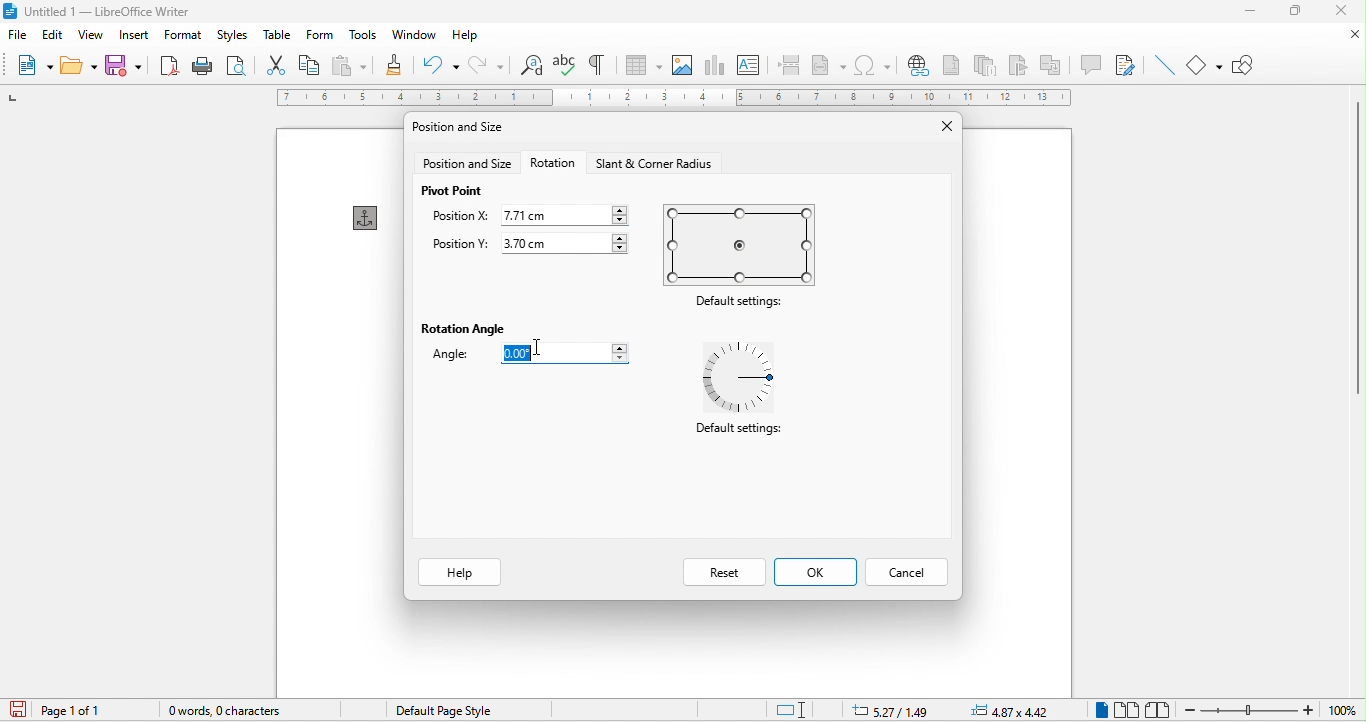 The height and width of the screenshot is (722, 1366). I want to click on untitied | — Libreoffice writer, so click(124, 12).